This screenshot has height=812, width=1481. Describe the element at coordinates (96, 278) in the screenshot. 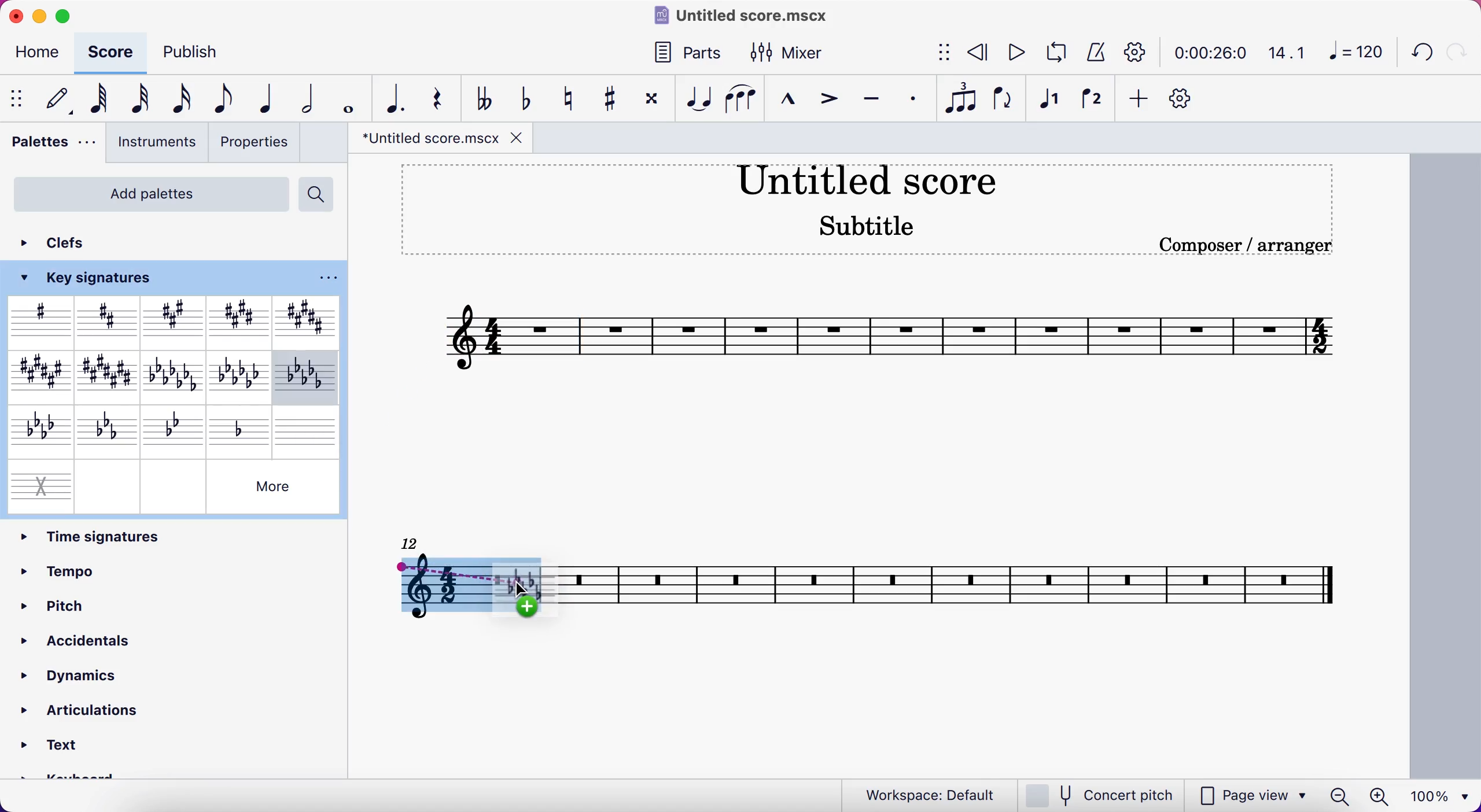

I see `key signature` at that location.